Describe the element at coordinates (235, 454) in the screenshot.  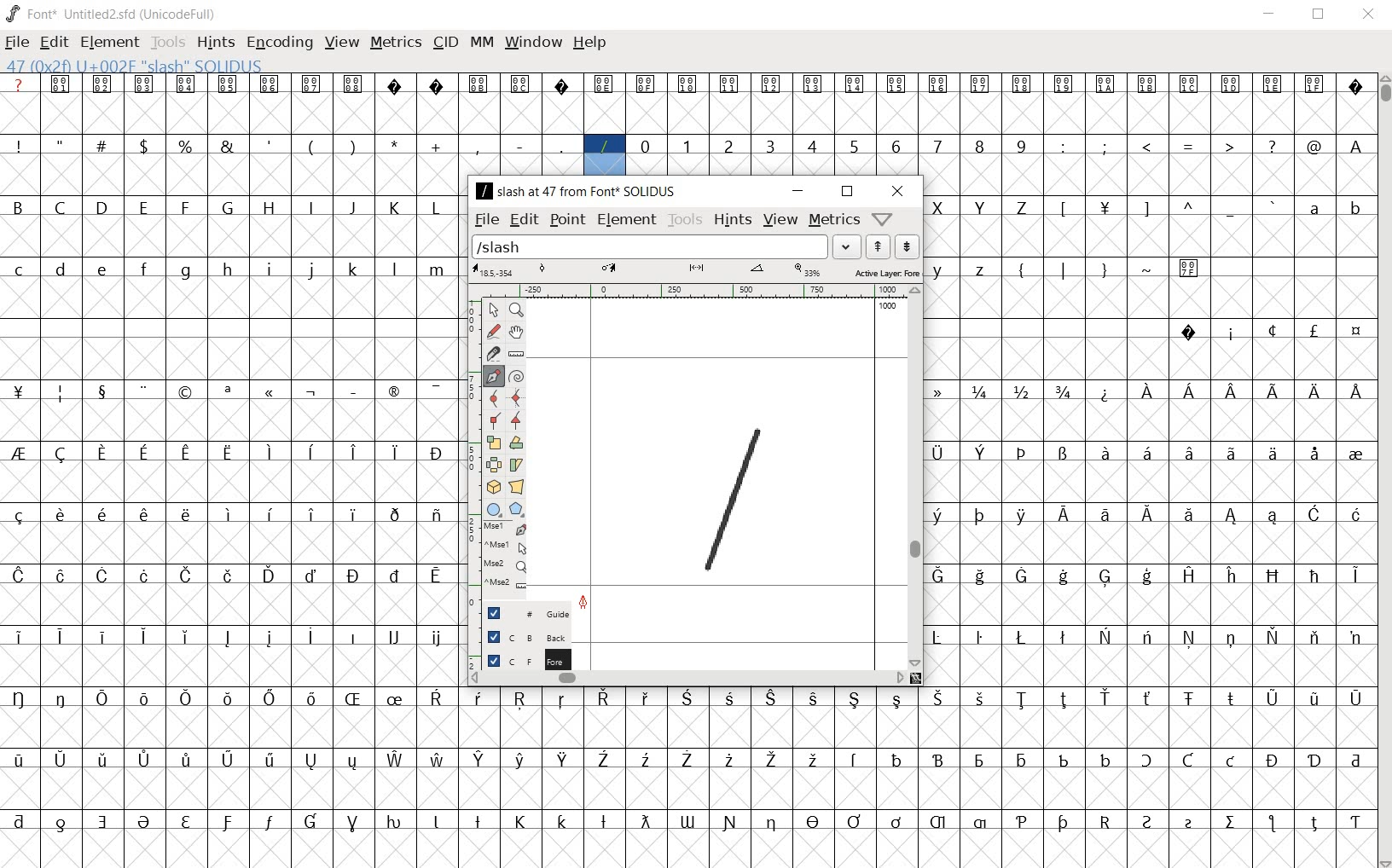
I see `special letters` at that location.